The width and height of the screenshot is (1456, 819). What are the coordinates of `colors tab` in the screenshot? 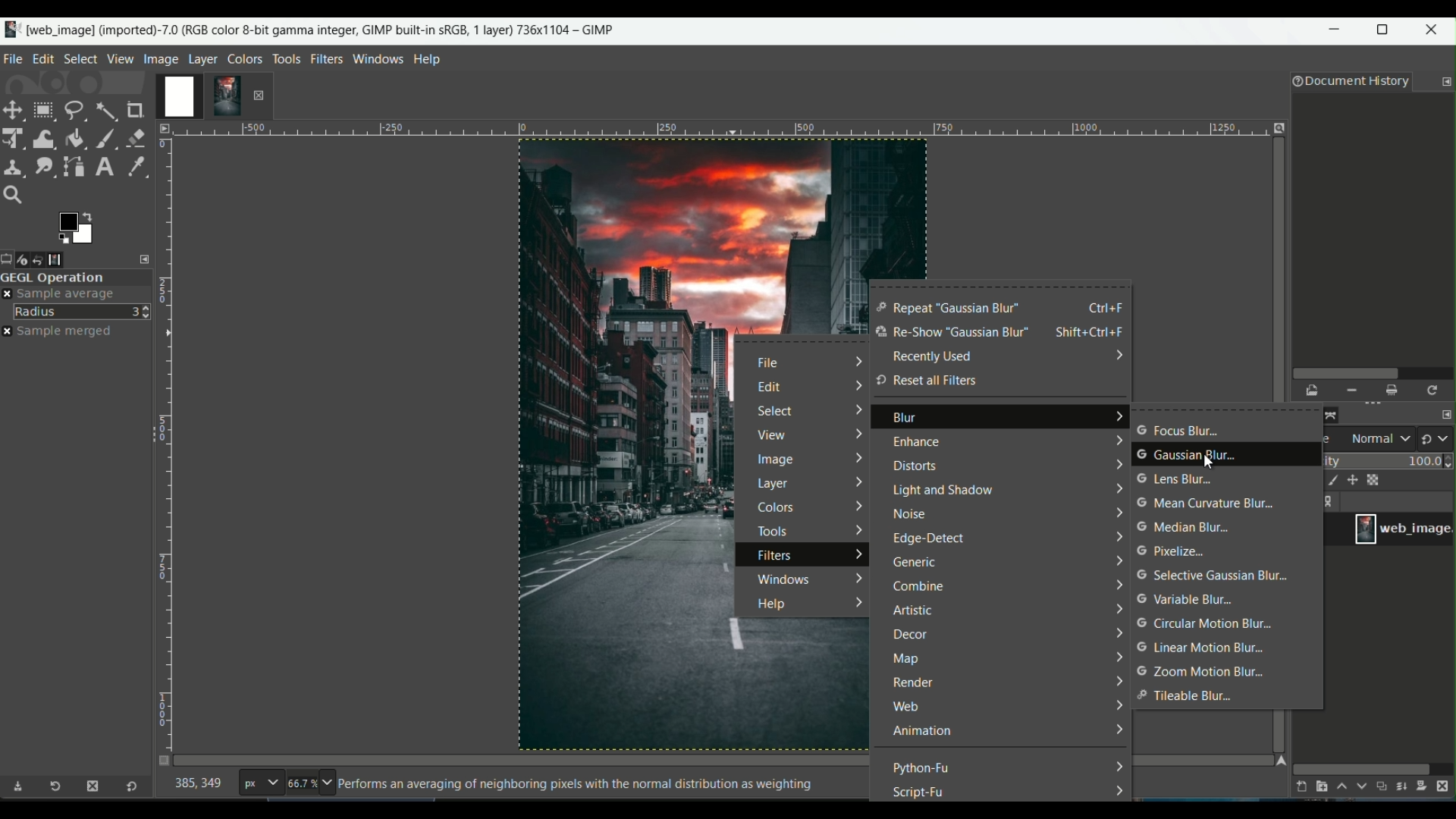 It's located at (246, 58).